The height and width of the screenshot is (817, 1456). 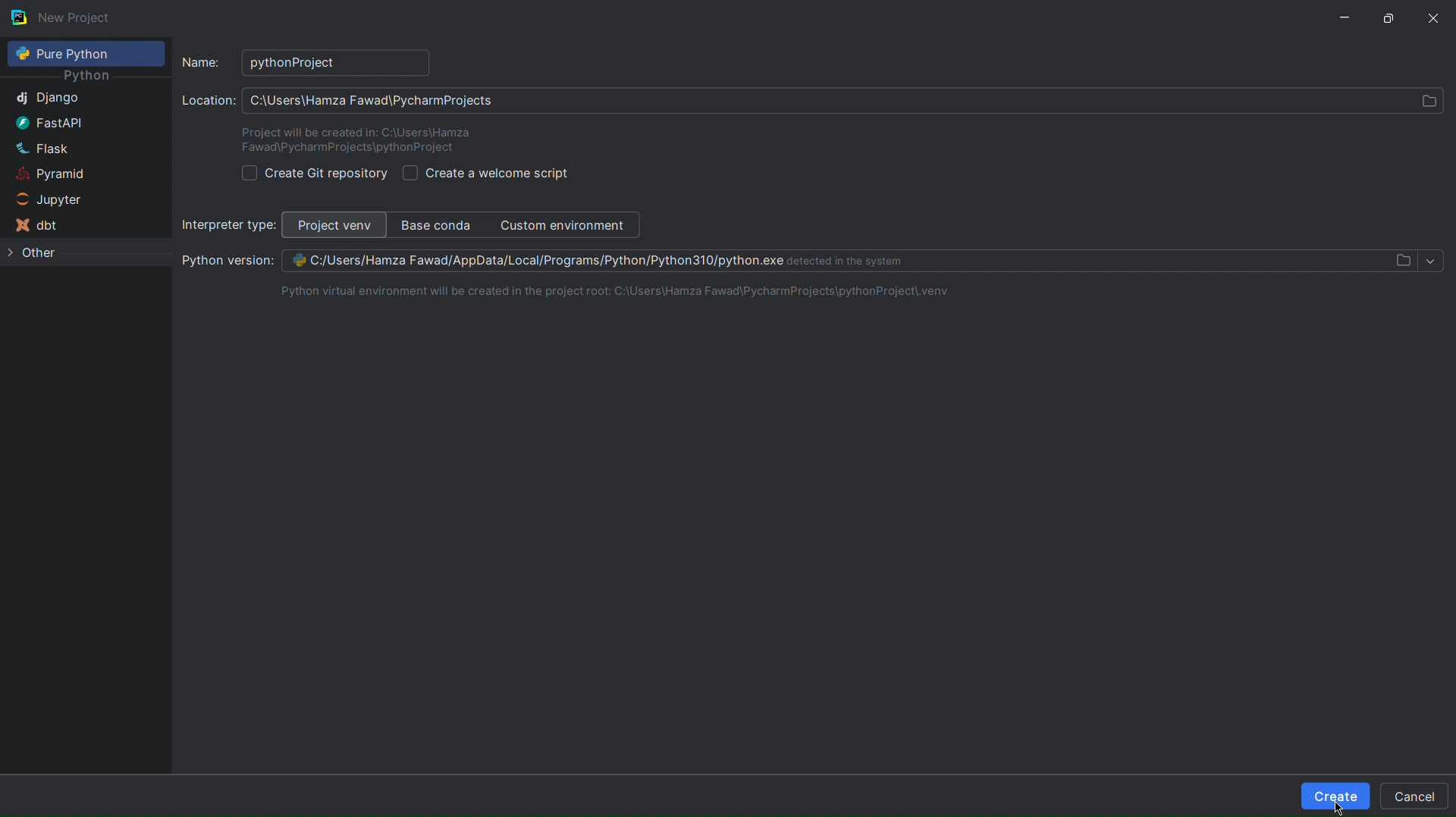 I want to click on Flask, so click(x=40, y=146).